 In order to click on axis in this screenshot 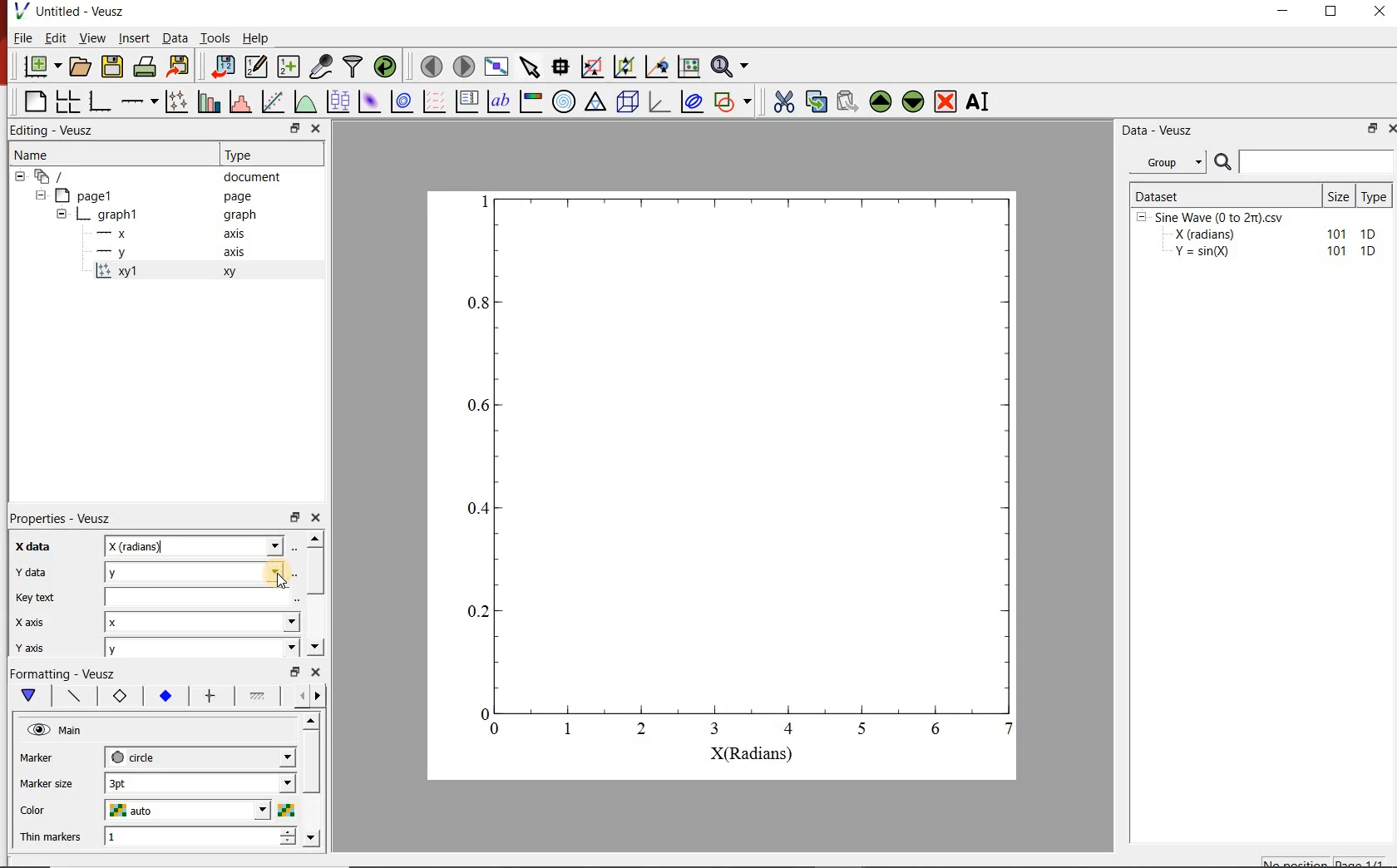, I will do `click(233, 251)`.